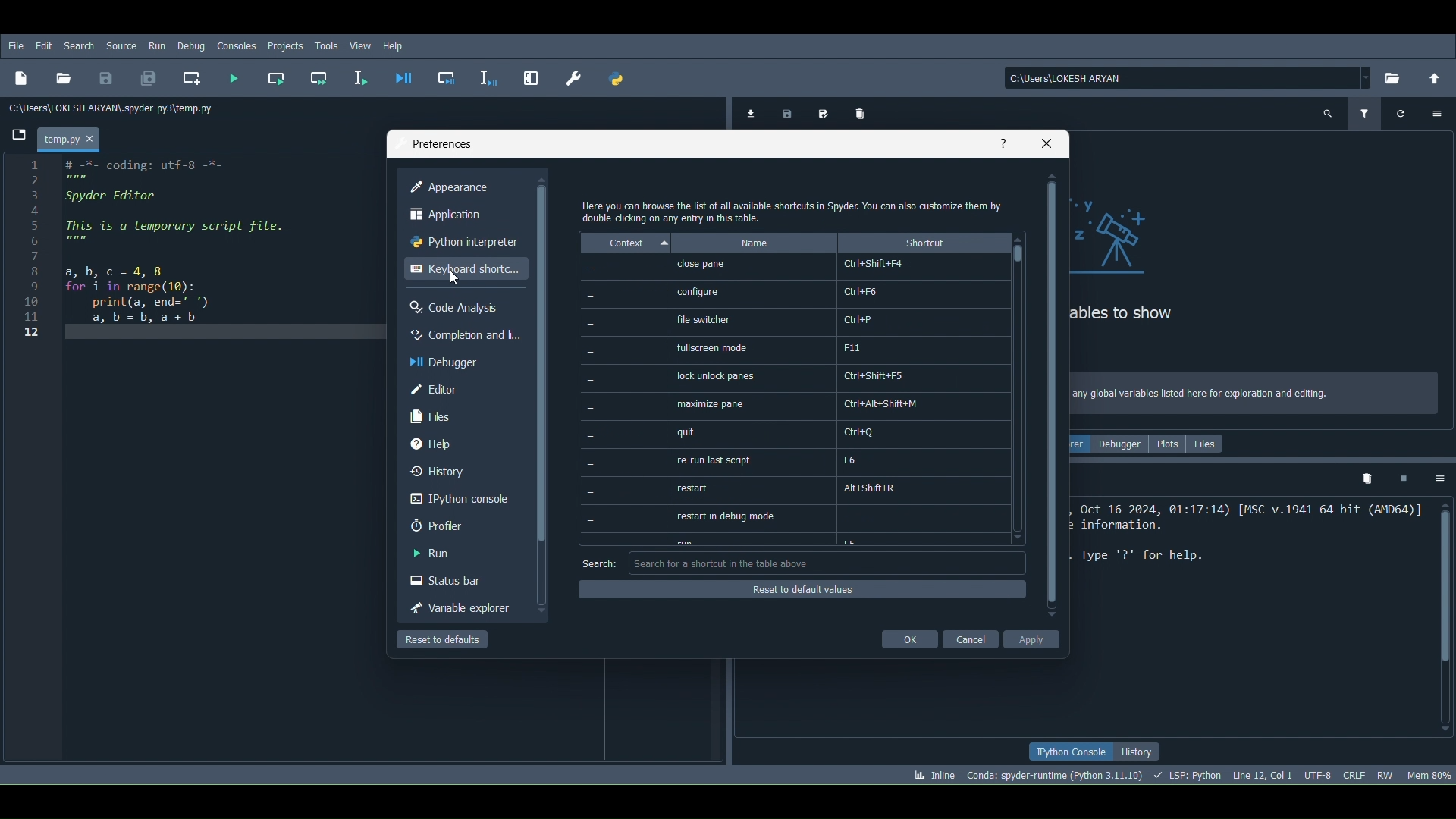 The image size is (1456, 819). What do you see at coordinates (147, 76) in the screenshot?
I see `Save all (Ctrl + Alt + S)` at bounding box center [147, 76].